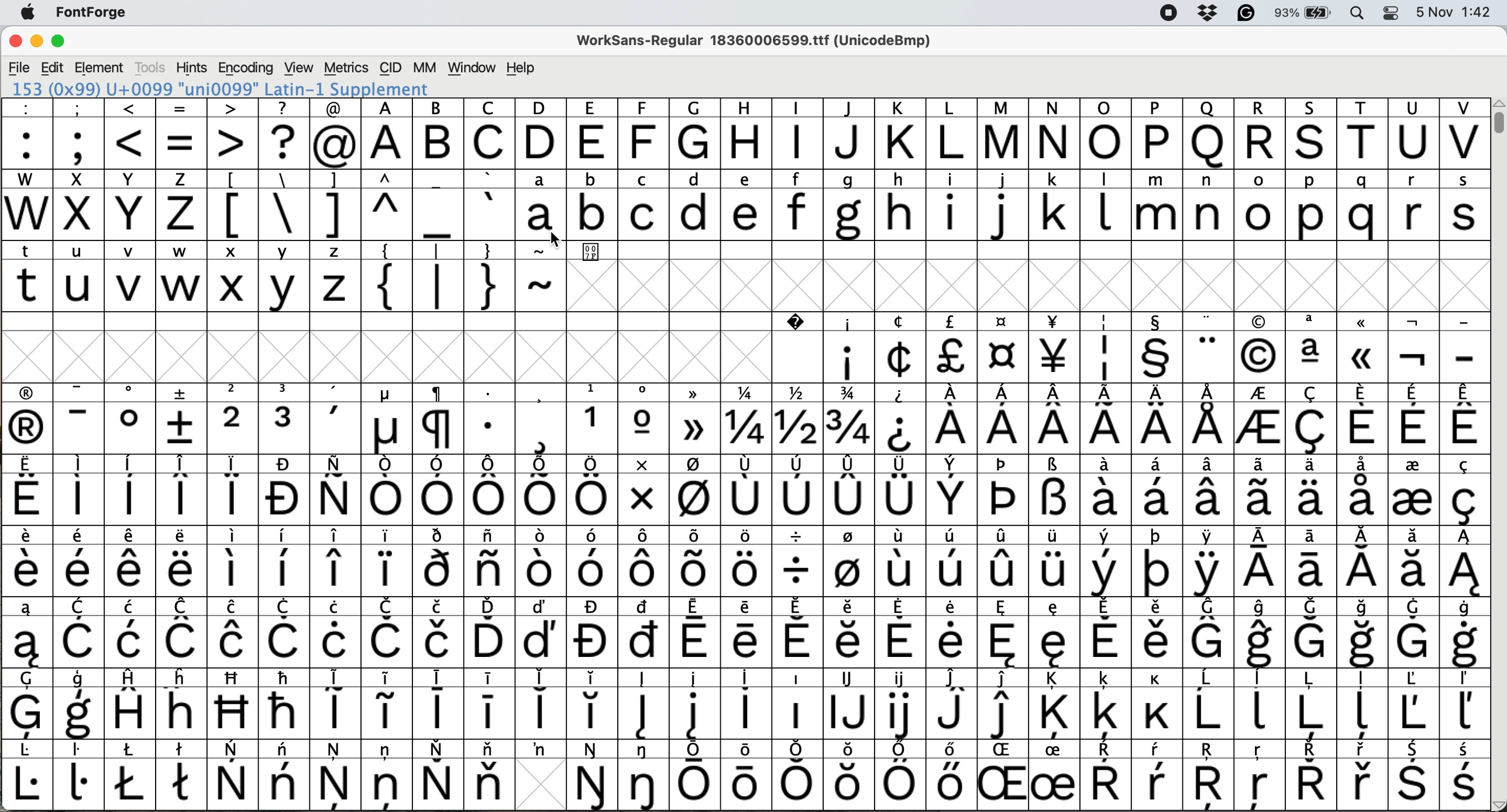  I want to click on , so click(850, 775).